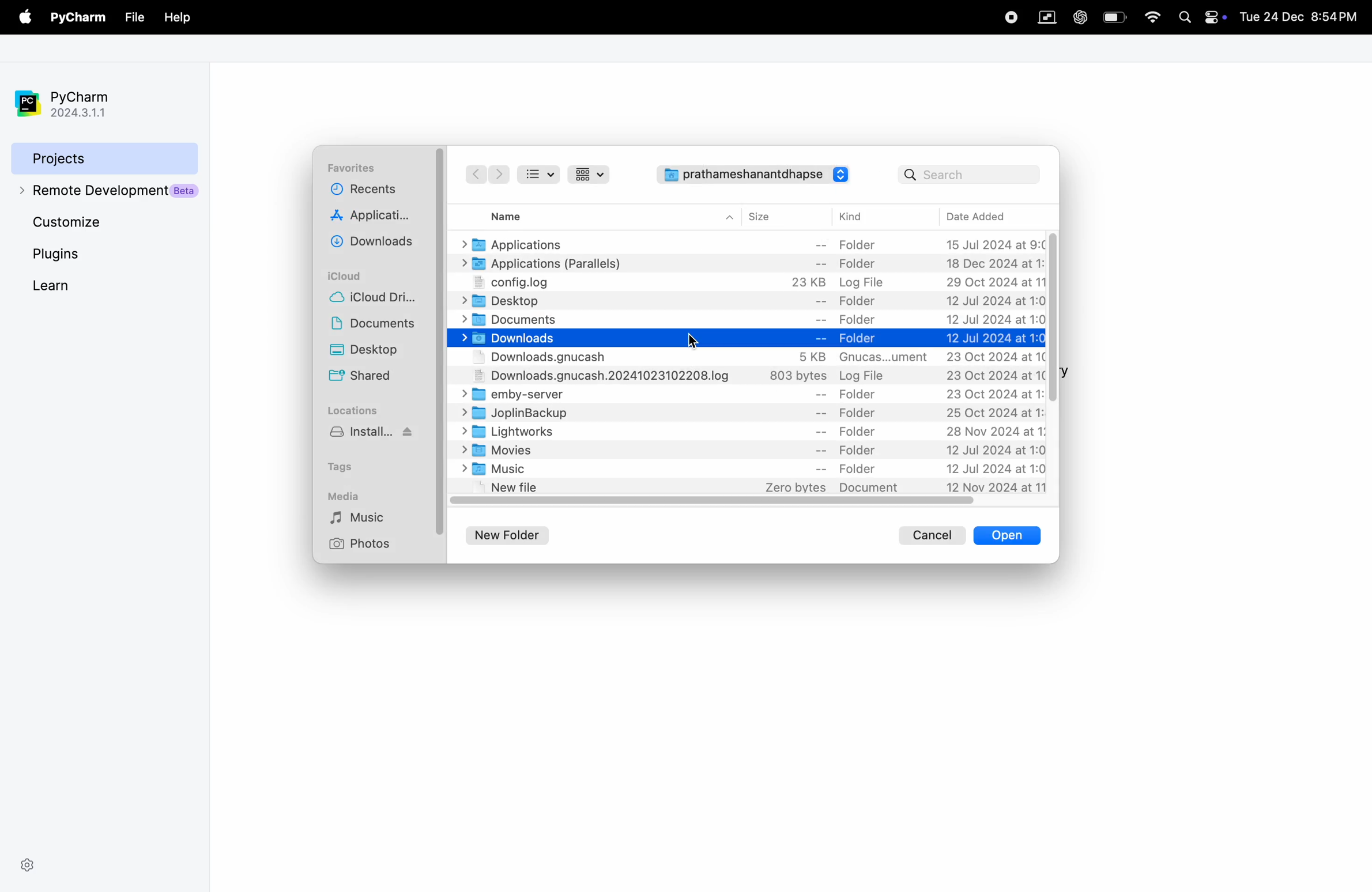 Image resolution: width=1372 pixels, height=892 pixels. Describe the element at coordinates (770, 216) in the screenshot. I see `size` at that location.